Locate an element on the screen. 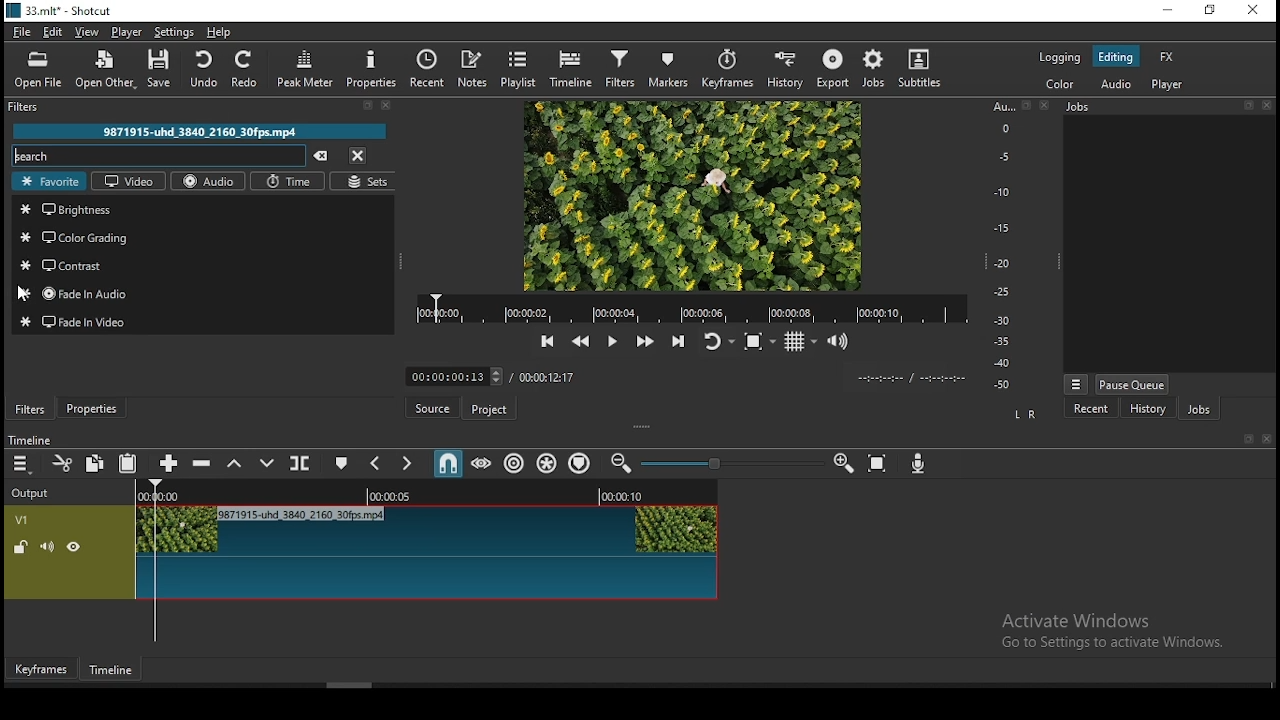 The height and width of the screenshot is (720, 1280). resize is located at coordinates (367, 105).